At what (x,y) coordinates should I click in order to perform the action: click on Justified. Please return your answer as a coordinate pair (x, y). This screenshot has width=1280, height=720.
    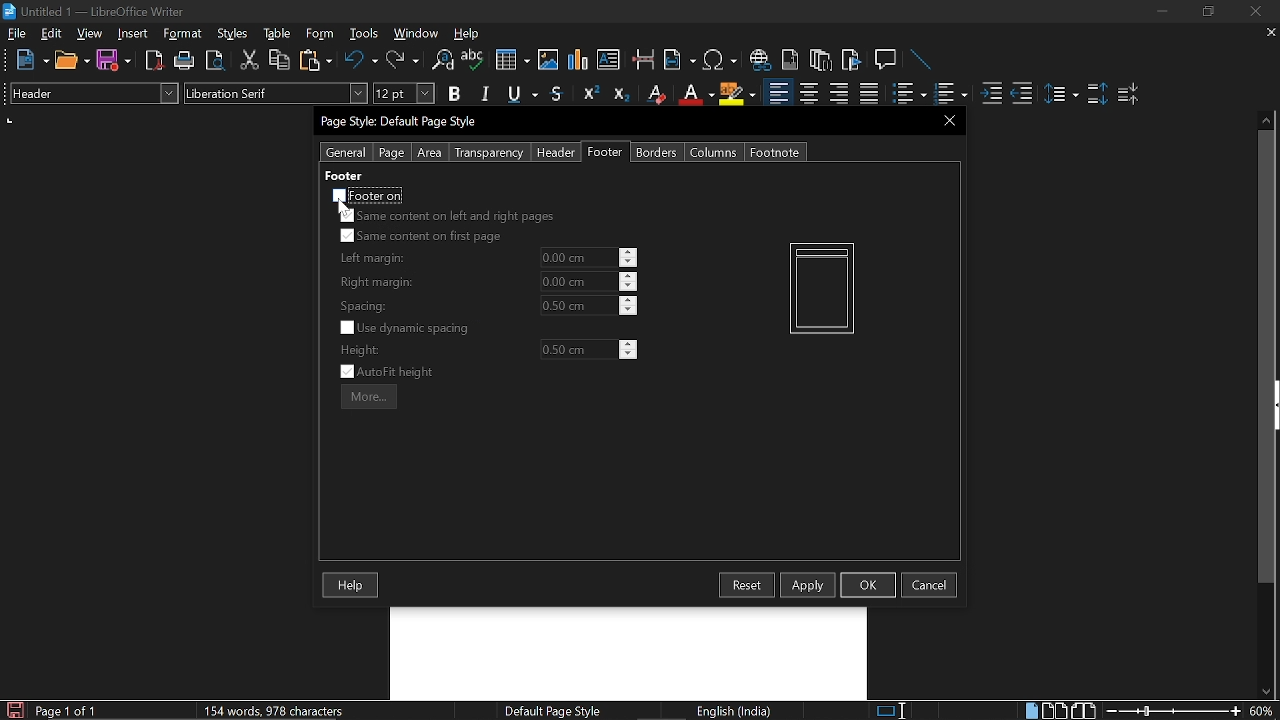
    Looking at the image, I should click on (870, 94).